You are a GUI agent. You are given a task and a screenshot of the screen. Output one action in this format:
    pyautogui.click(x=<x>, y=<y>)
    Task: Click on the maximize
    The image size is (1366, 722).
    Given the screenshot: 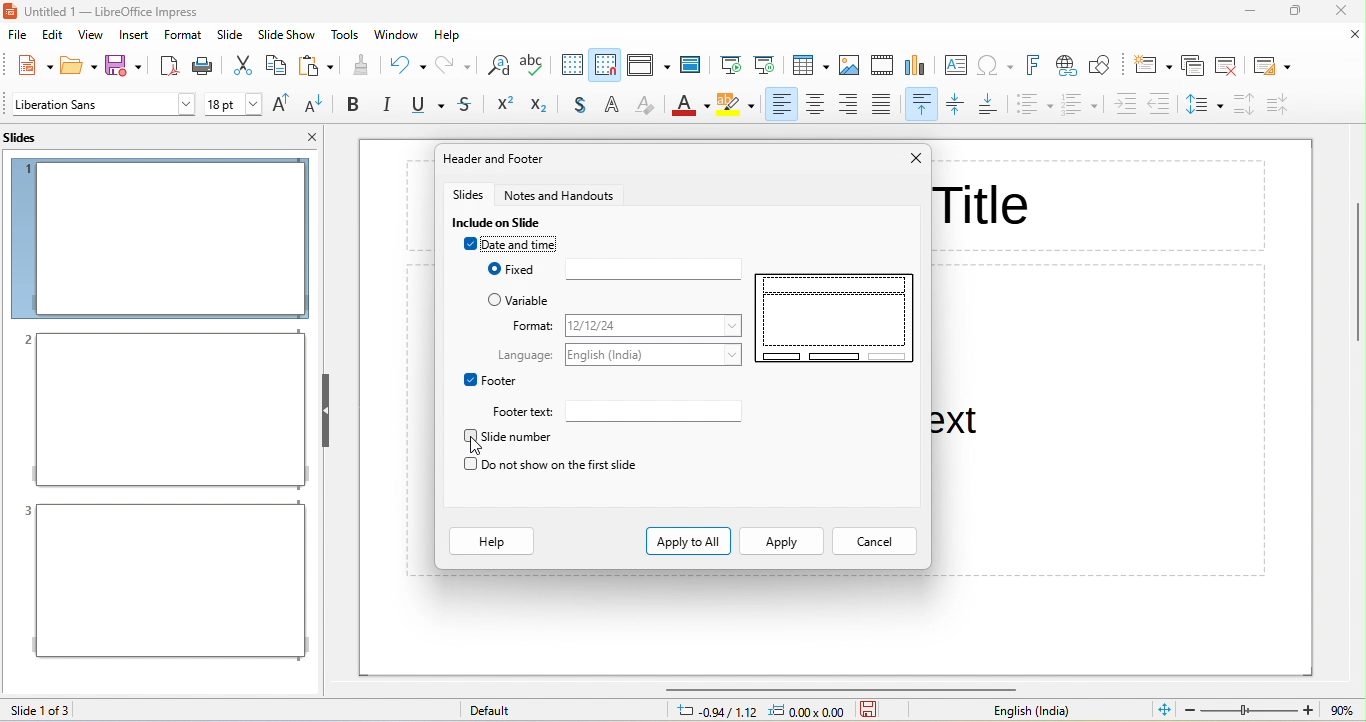 What is the action you would take?
    pyautogui.click(x=1297, y=12)
    